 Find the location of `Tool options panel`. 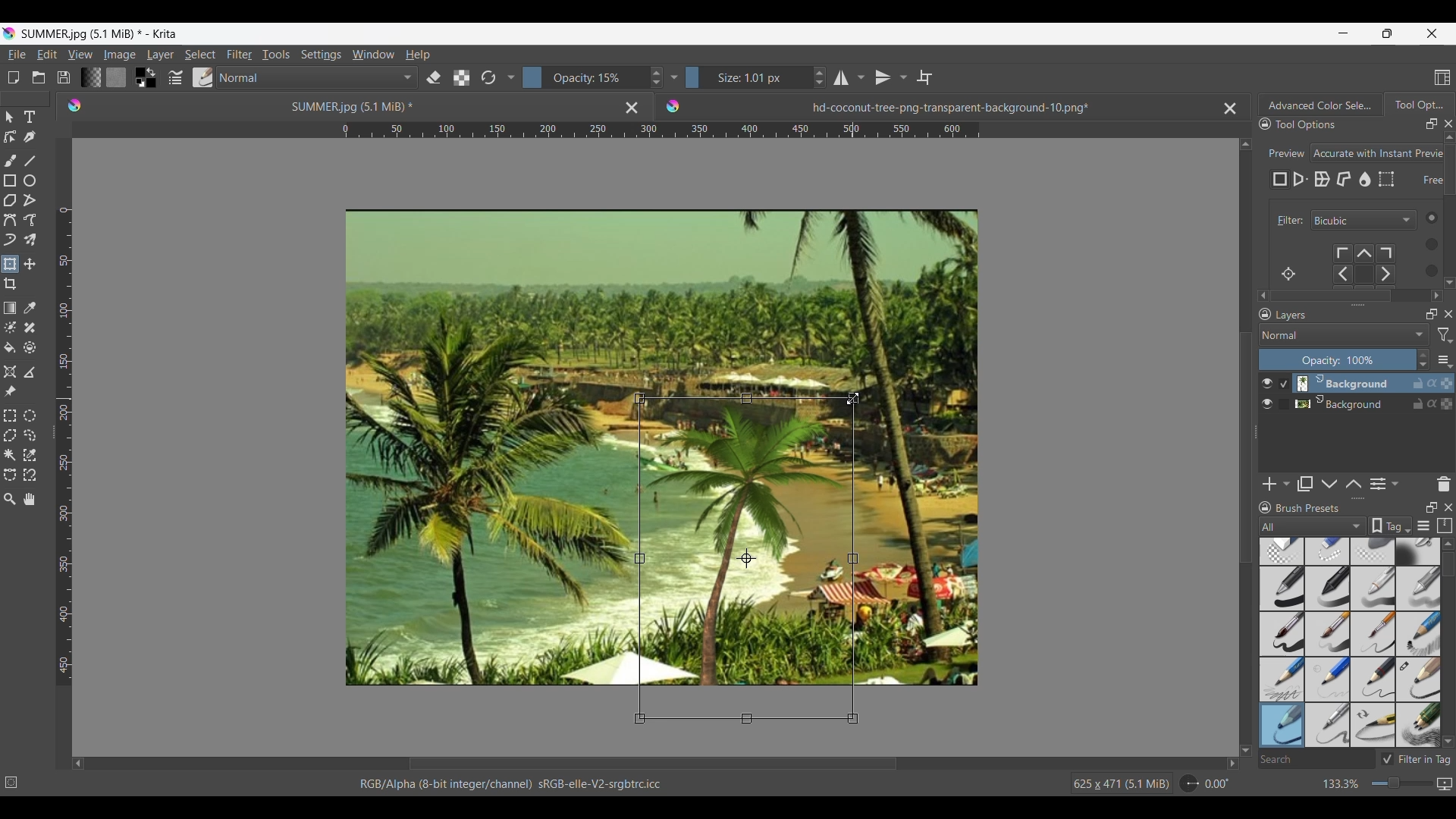

Tool options panel is located at coordinates (1418, 104).